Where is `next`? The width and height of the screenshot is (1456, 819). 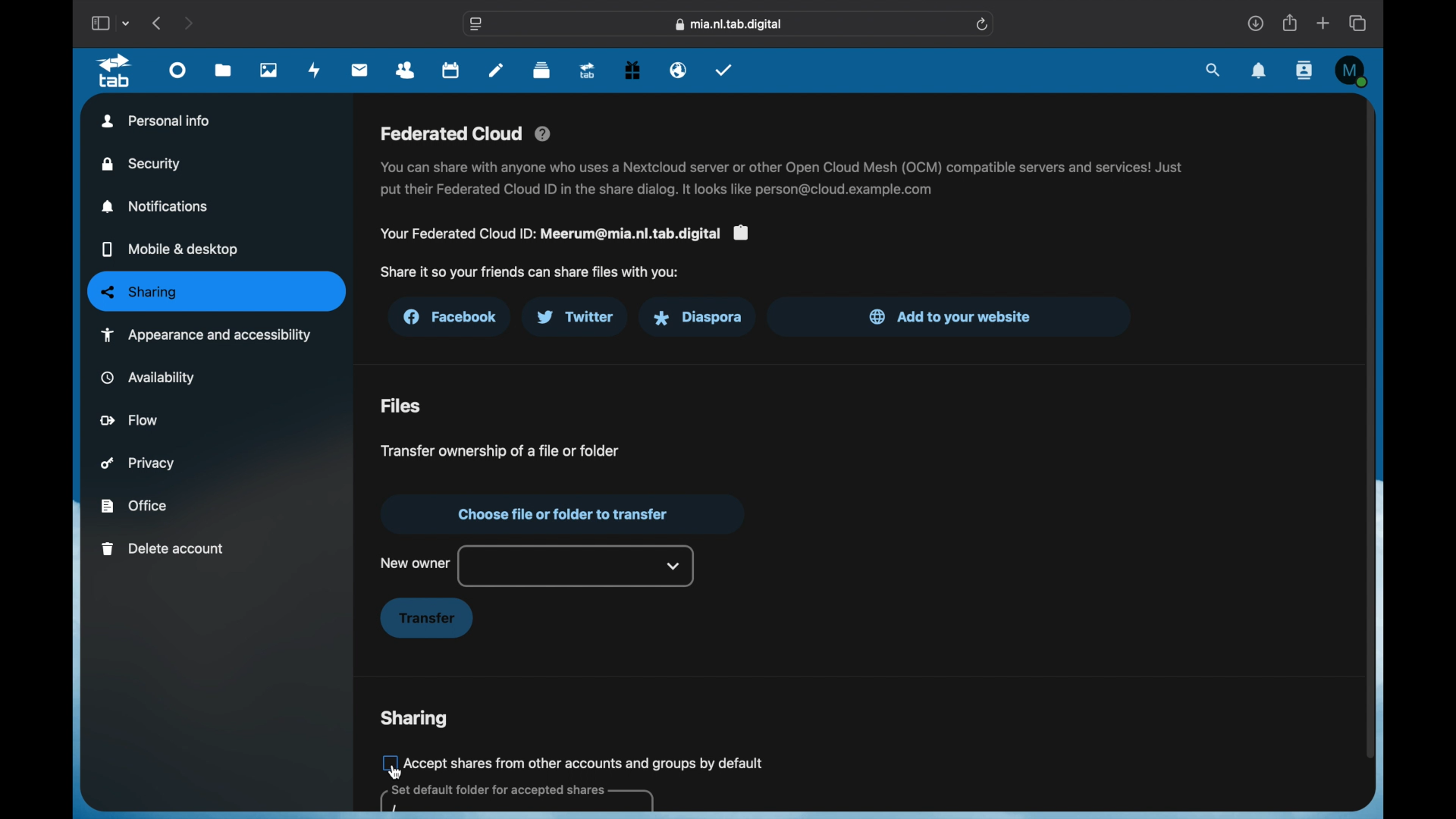
next is located at coordinates (188, 23).